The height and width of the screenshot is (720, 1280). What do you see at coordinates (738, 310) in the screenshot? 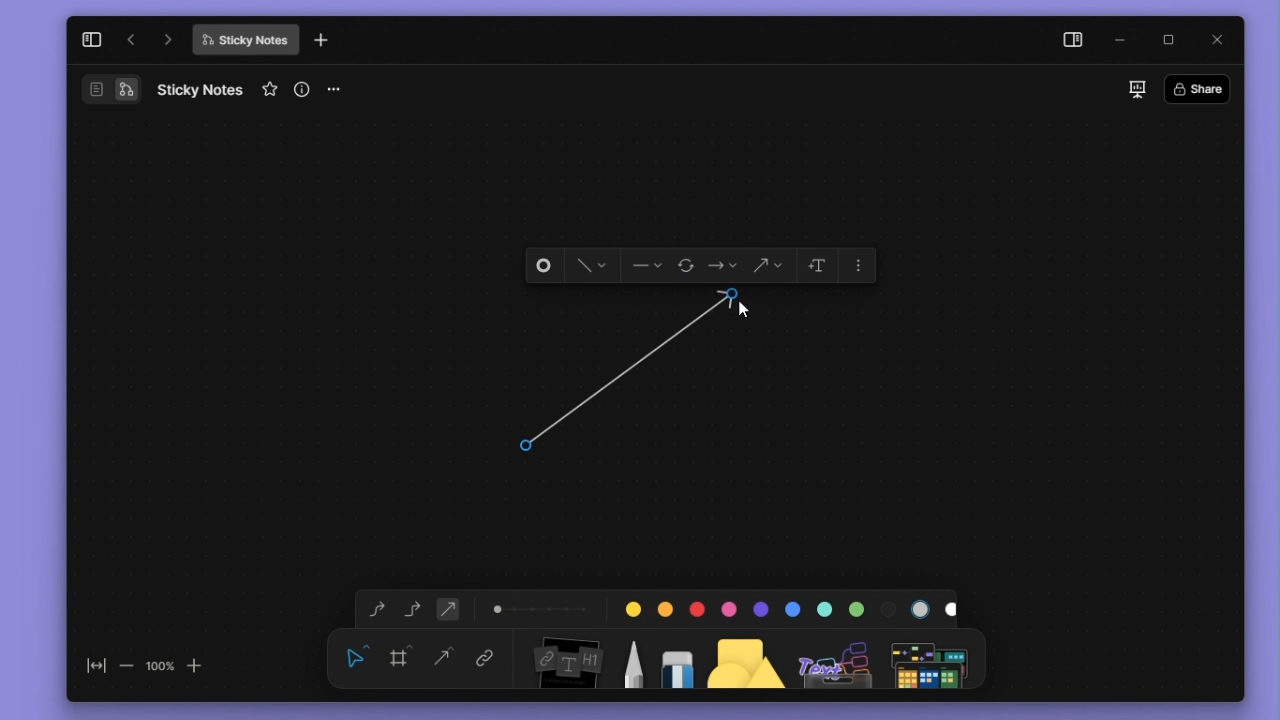
I see `cursor` at bounding box center [738, 310].